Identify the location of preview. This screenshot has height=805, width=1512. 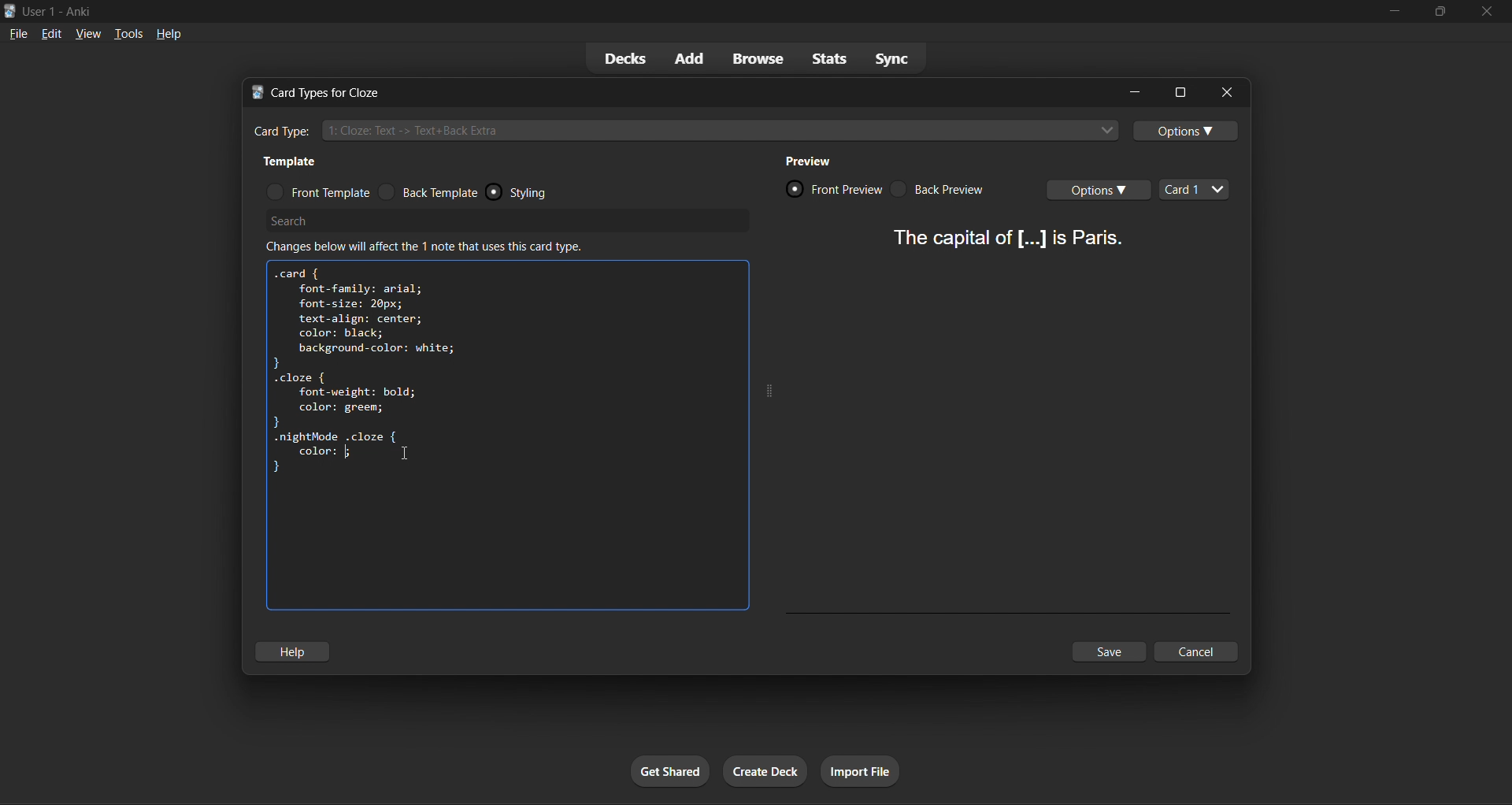
(813, 165).